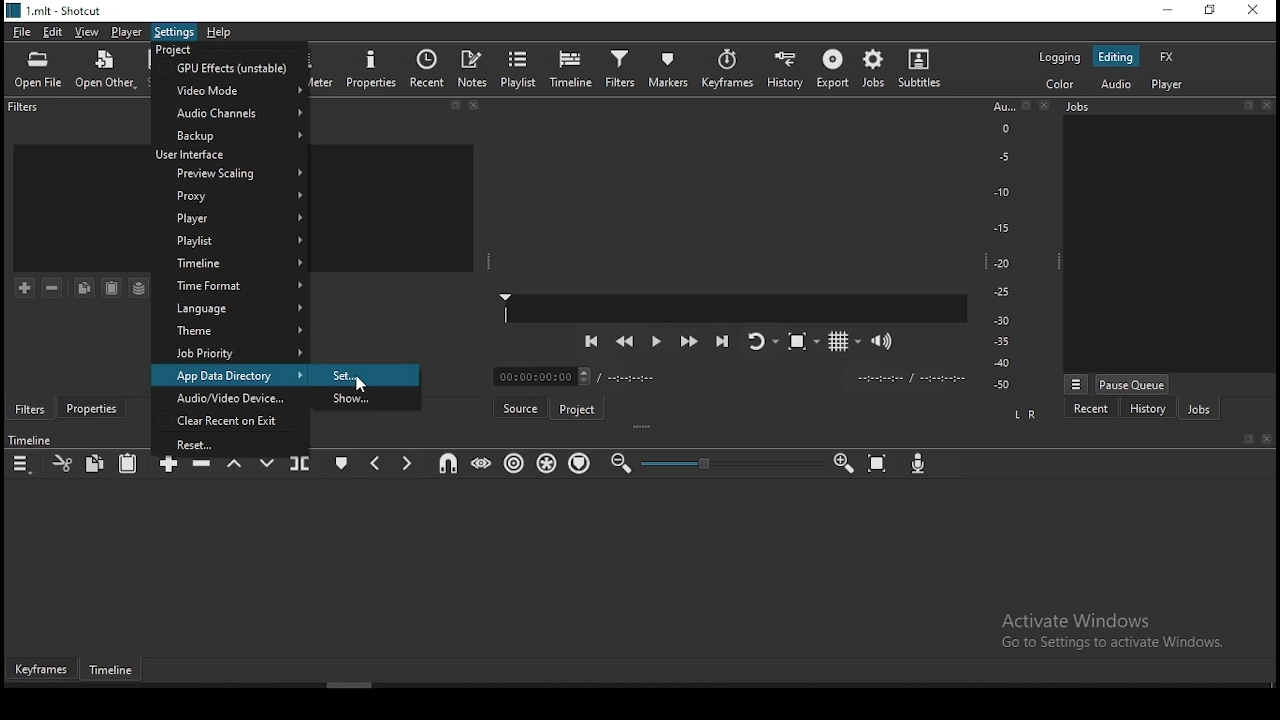  I want to click on help, so click(220, 32).